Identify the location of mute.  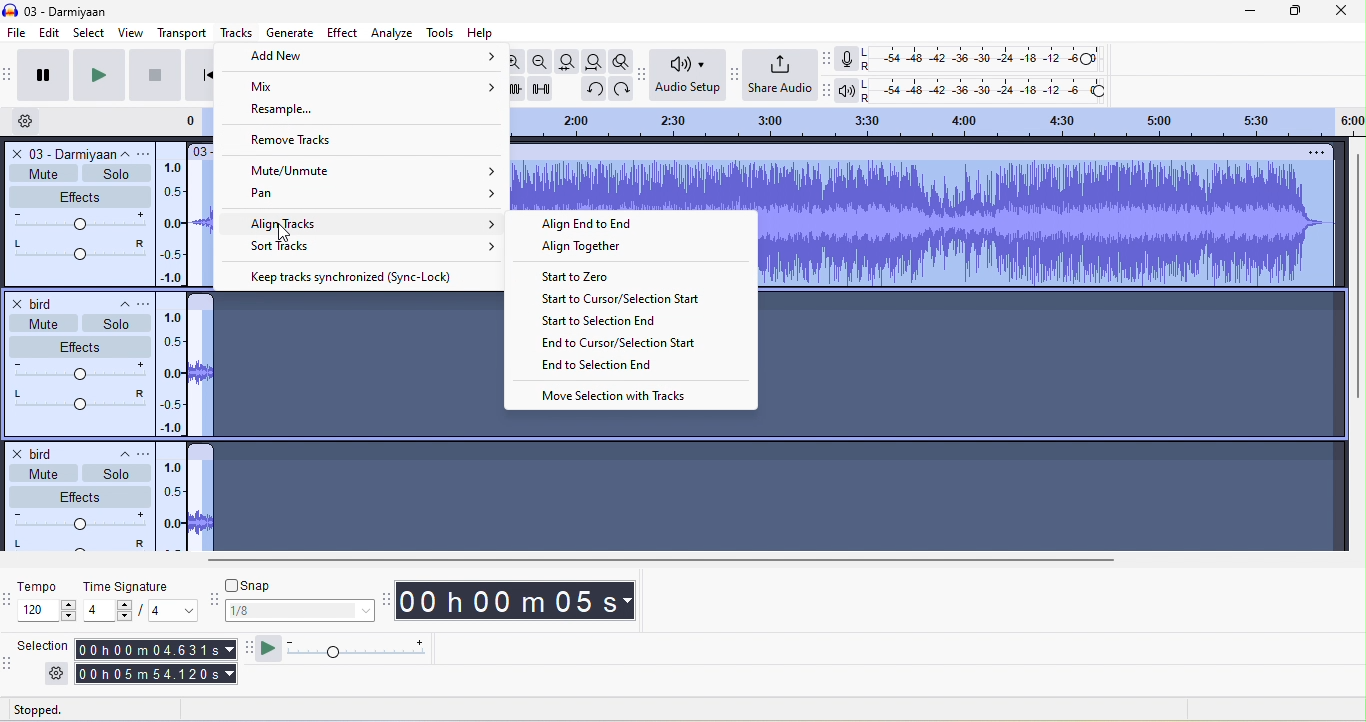
(39, 323).